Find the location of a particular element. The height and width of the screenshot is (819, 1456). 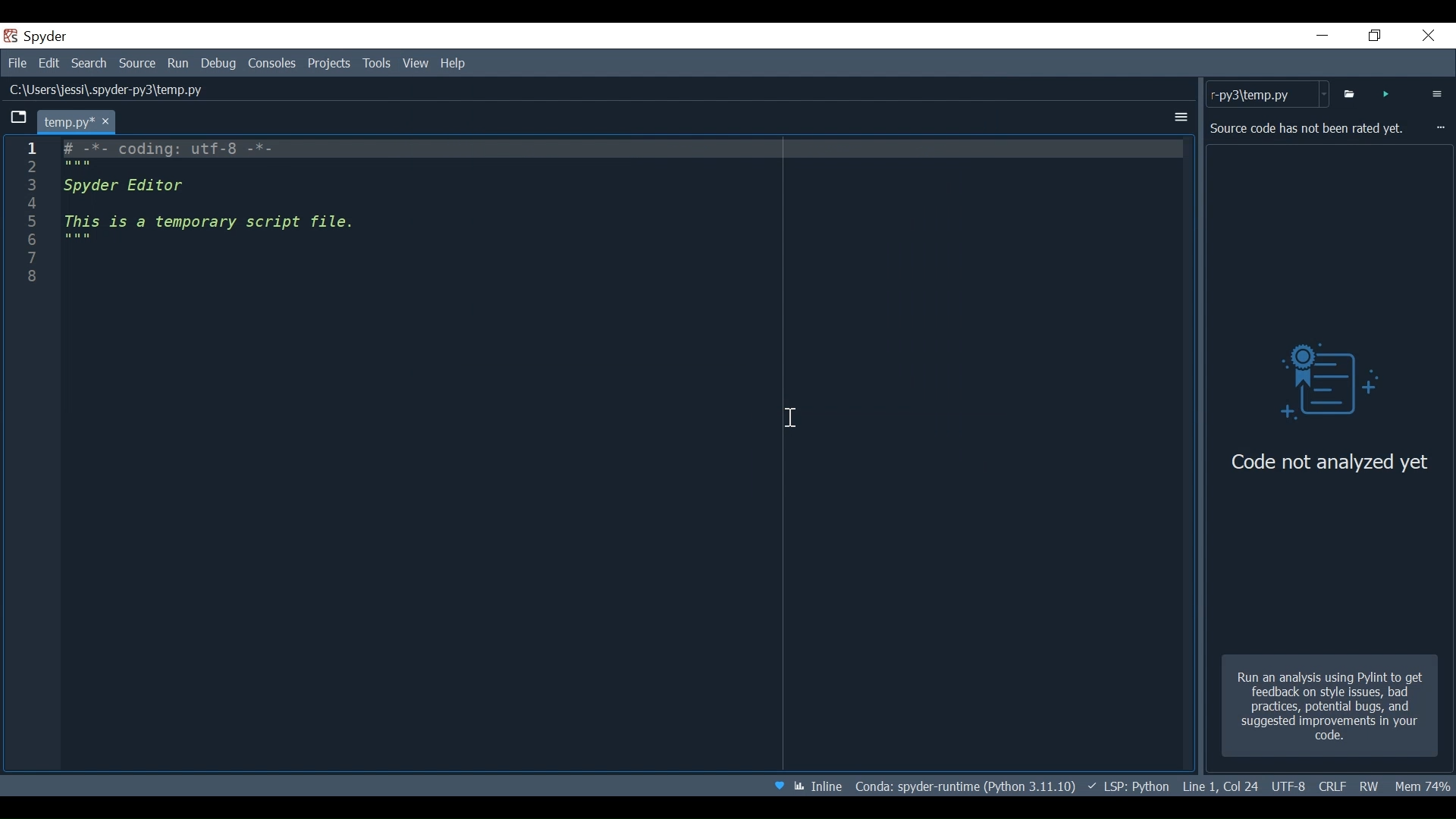

Select file is located at coordinates (1348, 94).